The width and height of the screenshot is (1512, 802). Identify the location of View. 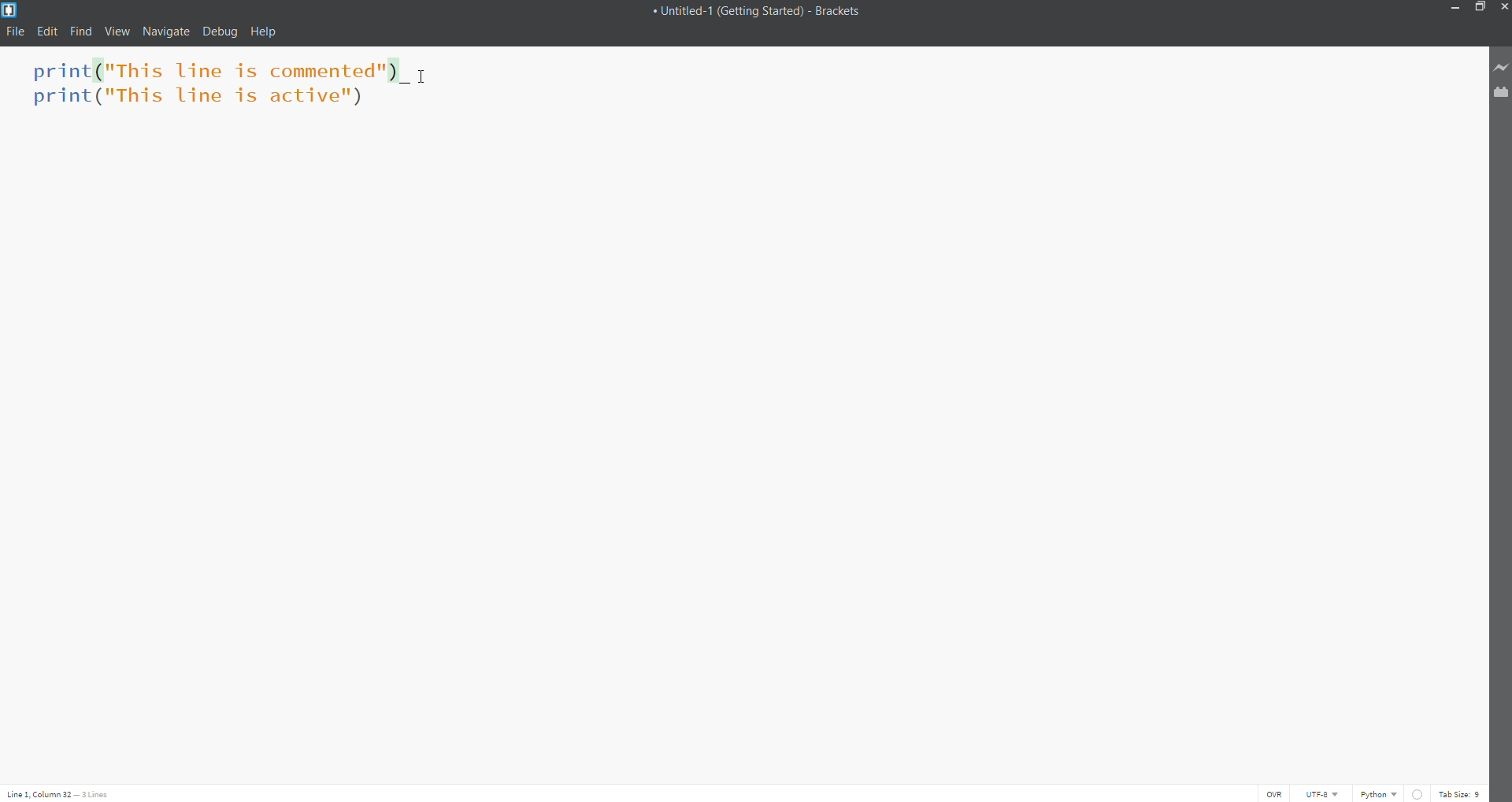
(116, 32).